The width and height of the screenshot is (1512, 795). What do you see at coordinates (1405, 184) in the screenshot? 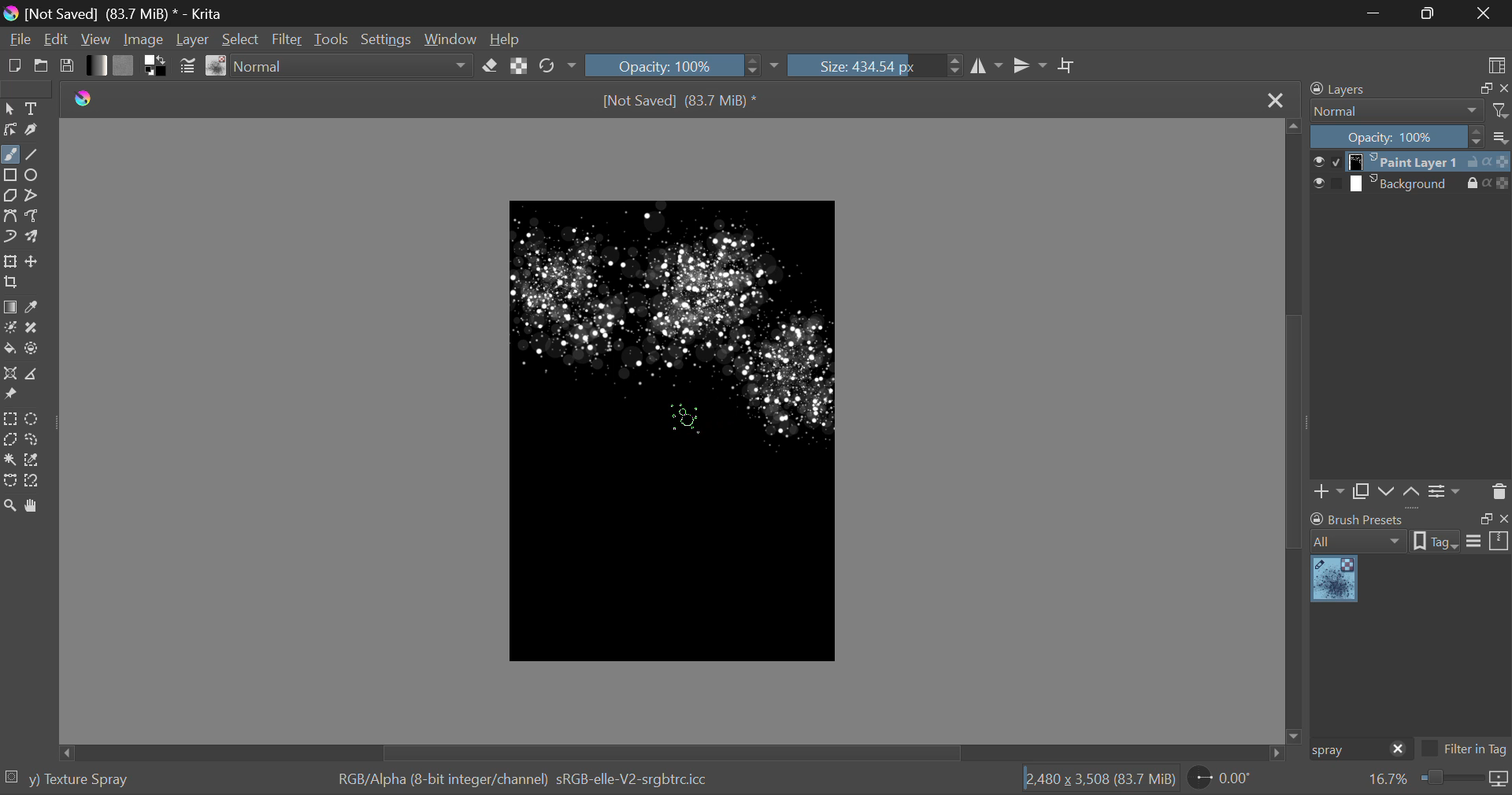
I see `layer 2` at bounding box center [1405, 184].